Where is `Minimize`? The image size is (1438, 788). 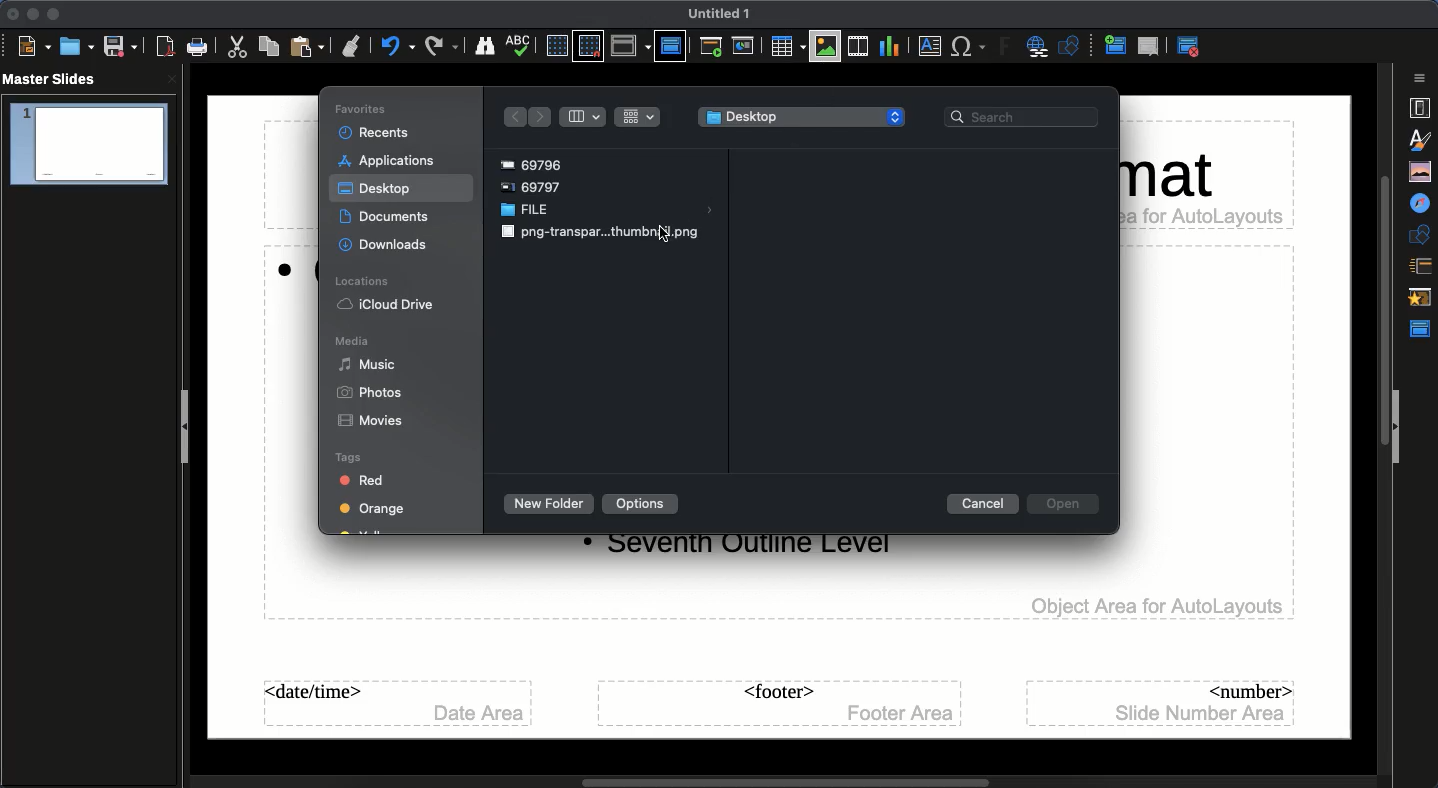 Minimize is located at coordinates (30, 14).